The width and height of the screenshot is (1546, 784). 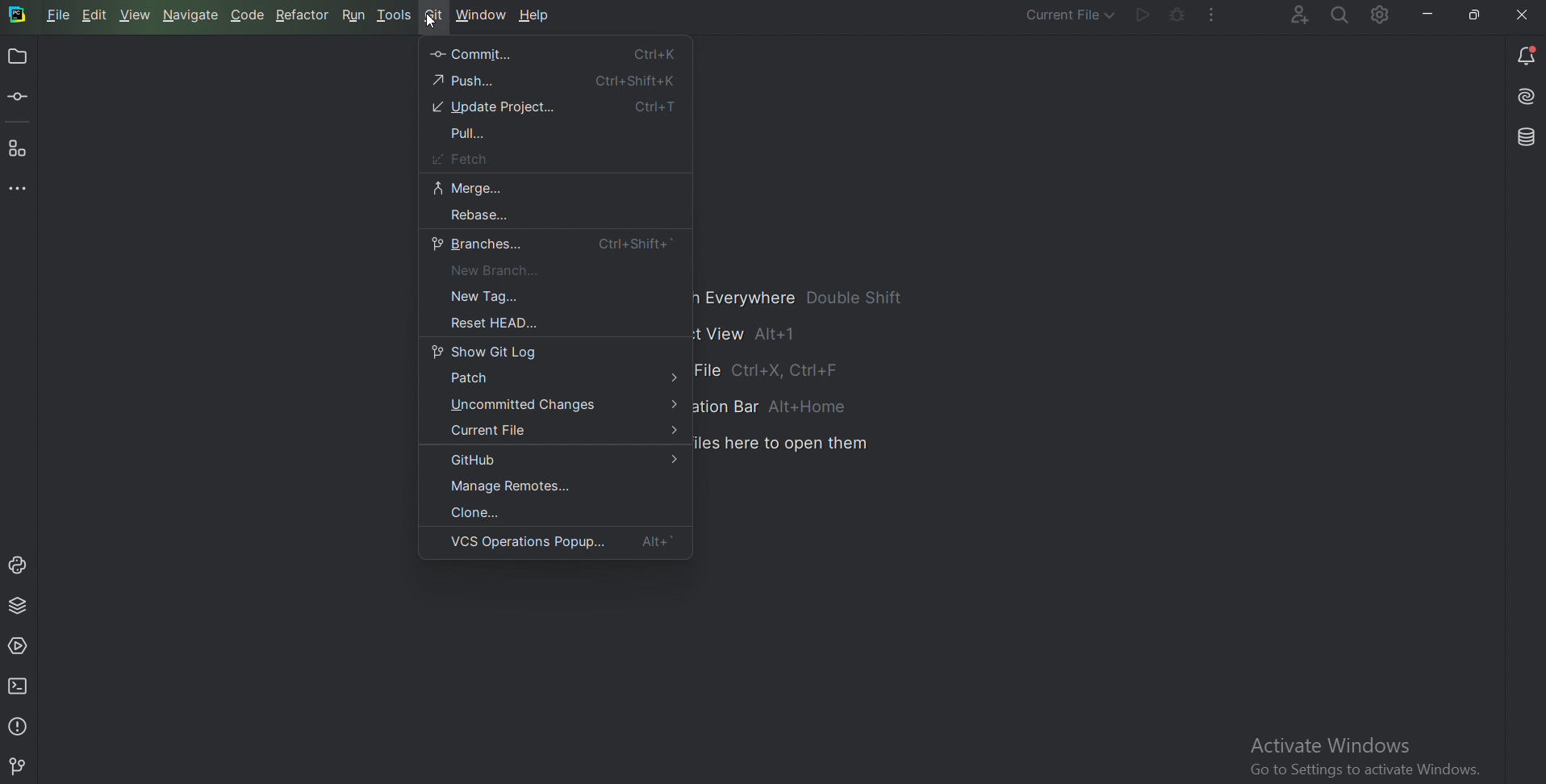 What do you see at coordinates (1524, 99) in the screenshot?
I see `Install AI assistant` at bounding box center [1524, 99].